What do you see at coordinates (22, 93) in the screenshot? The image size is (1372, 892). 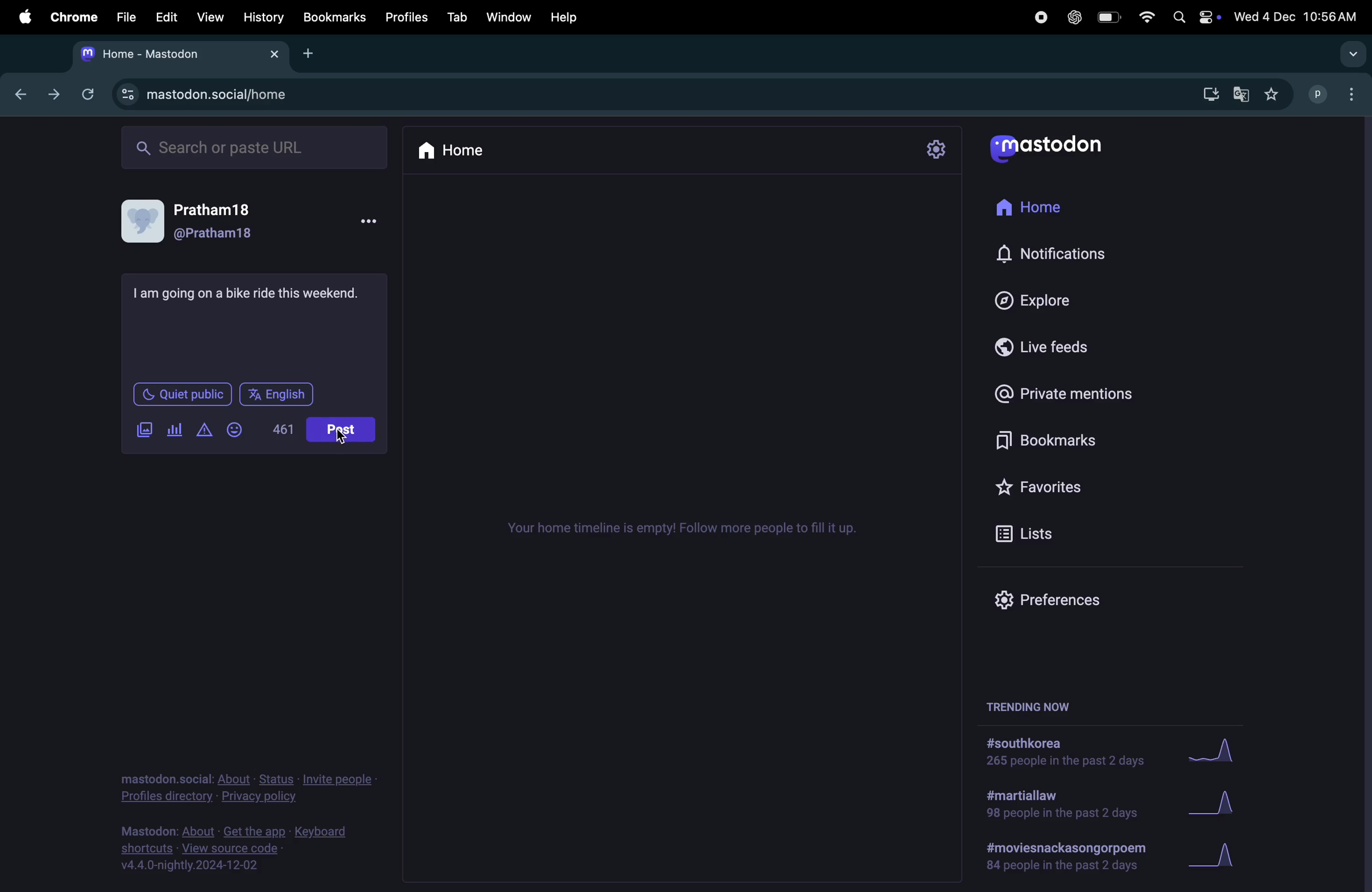 I see `previous tab` at bounding box center [22, 93].